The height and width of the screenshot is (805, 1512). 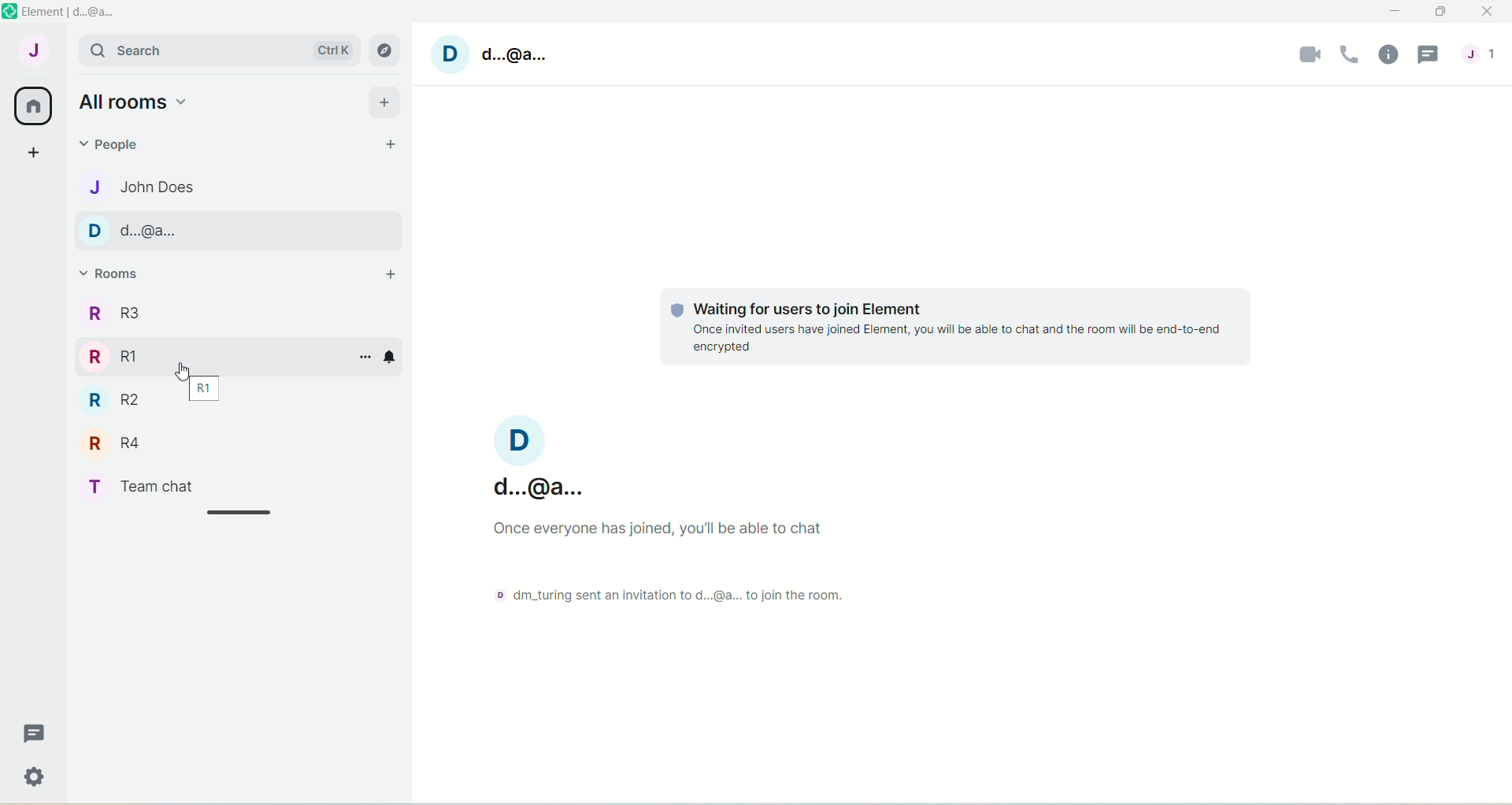 What do you see at coordinates (207, 395) in the screenshot?
I see `R1` at bounding box center [207, 395].